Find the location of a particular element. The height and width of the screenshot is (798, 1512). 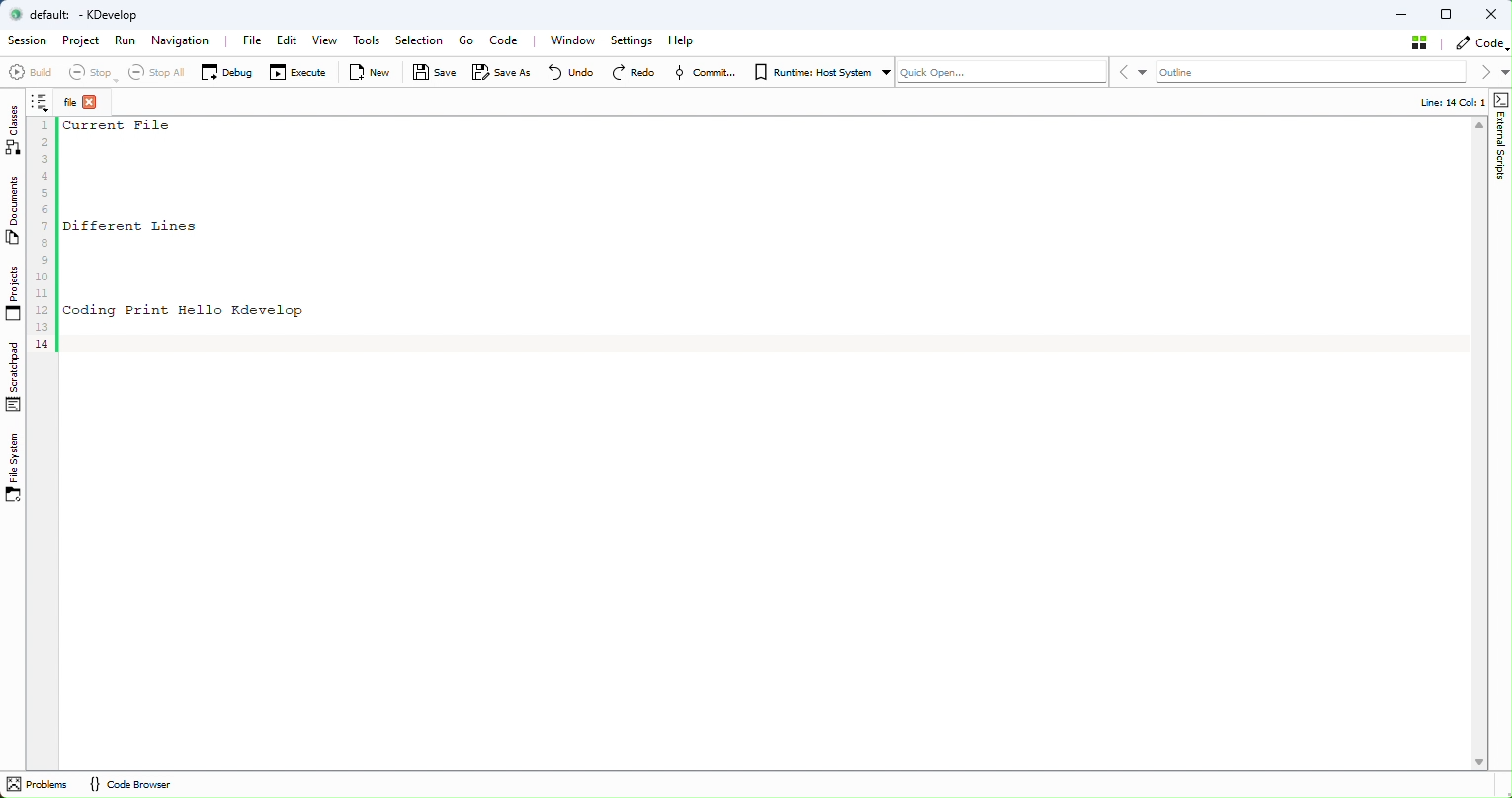

Code is located at coordinates (1479, 42).